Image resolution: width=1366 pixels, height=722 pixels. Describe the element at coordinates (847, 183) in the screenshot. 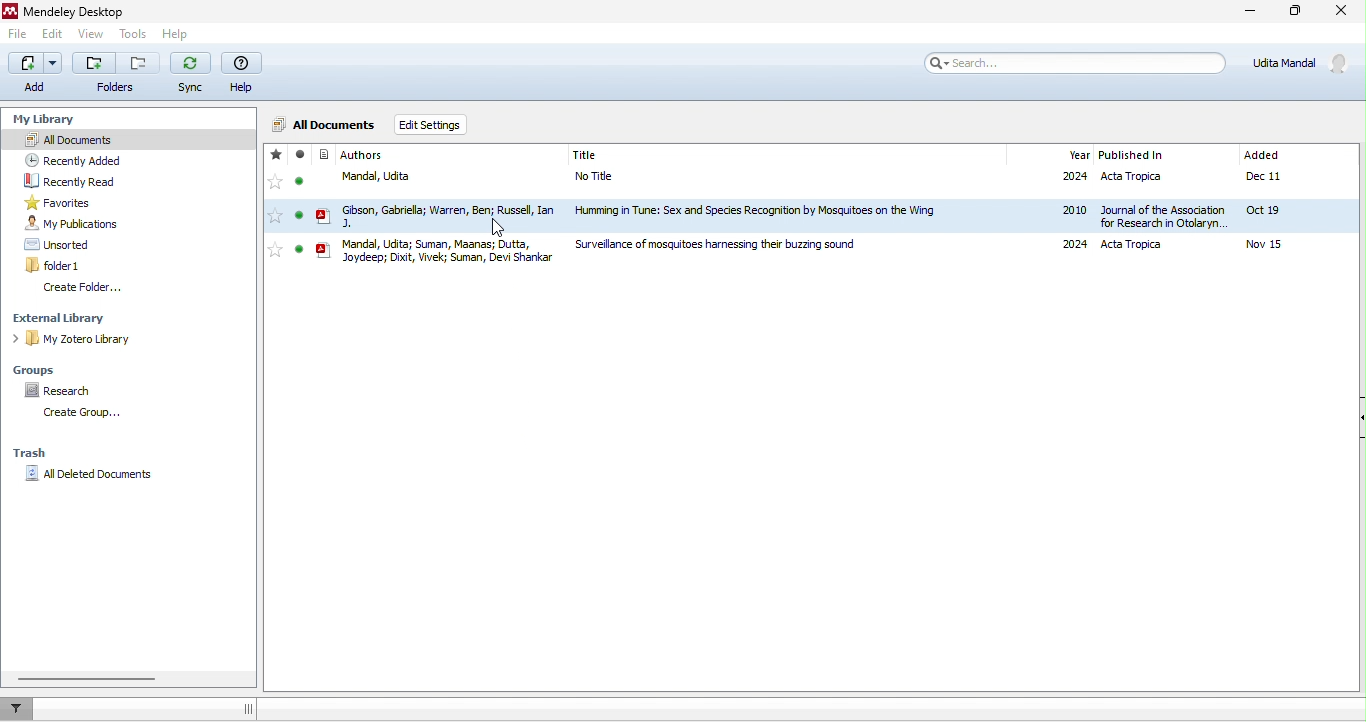

I see `file` at that location.